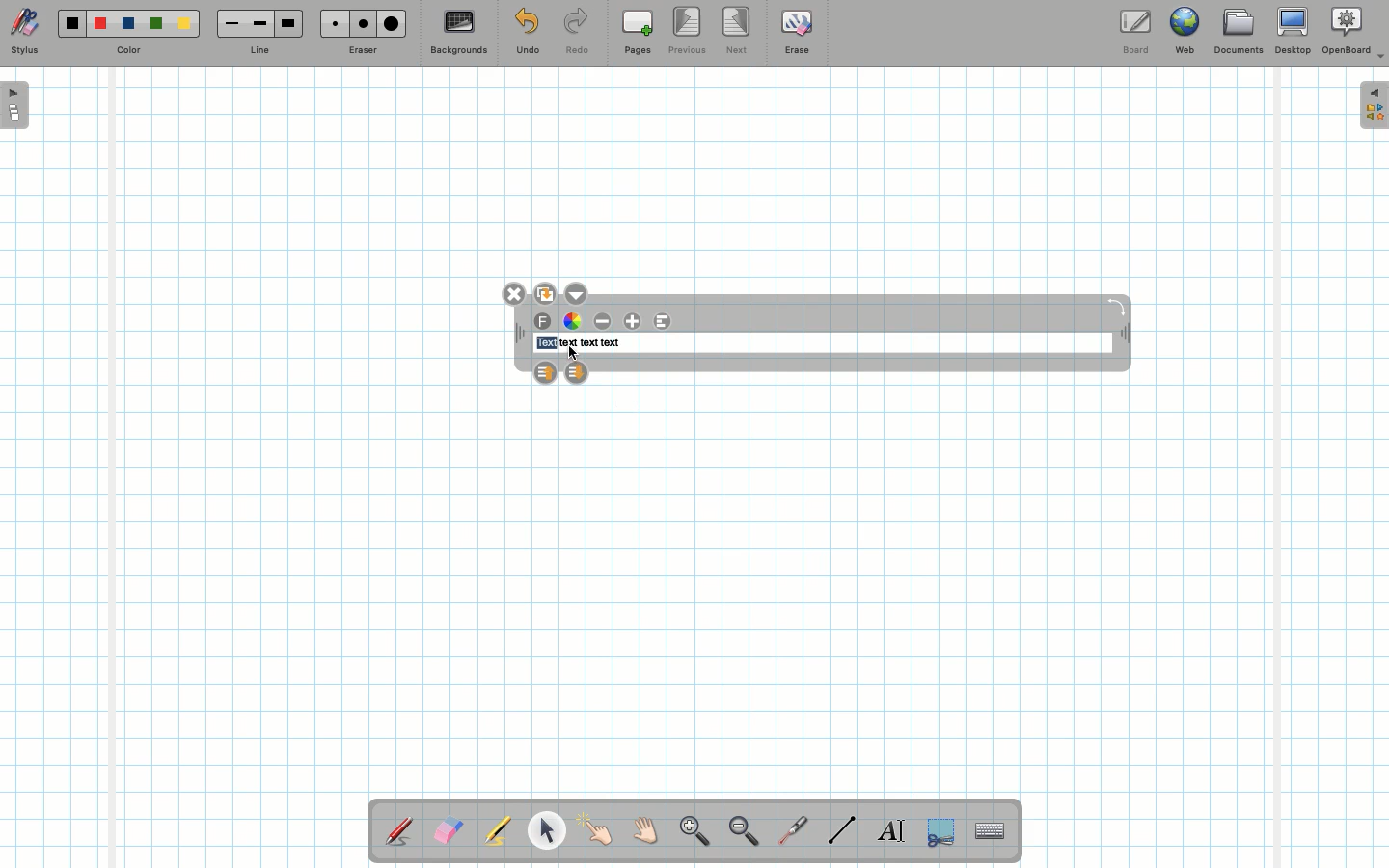 The width and height of the screenshot is (1389, 868). What do you see at coordinates (638, 34) in the screenshot?
I see `Pages` at bounding box center [638, 34].